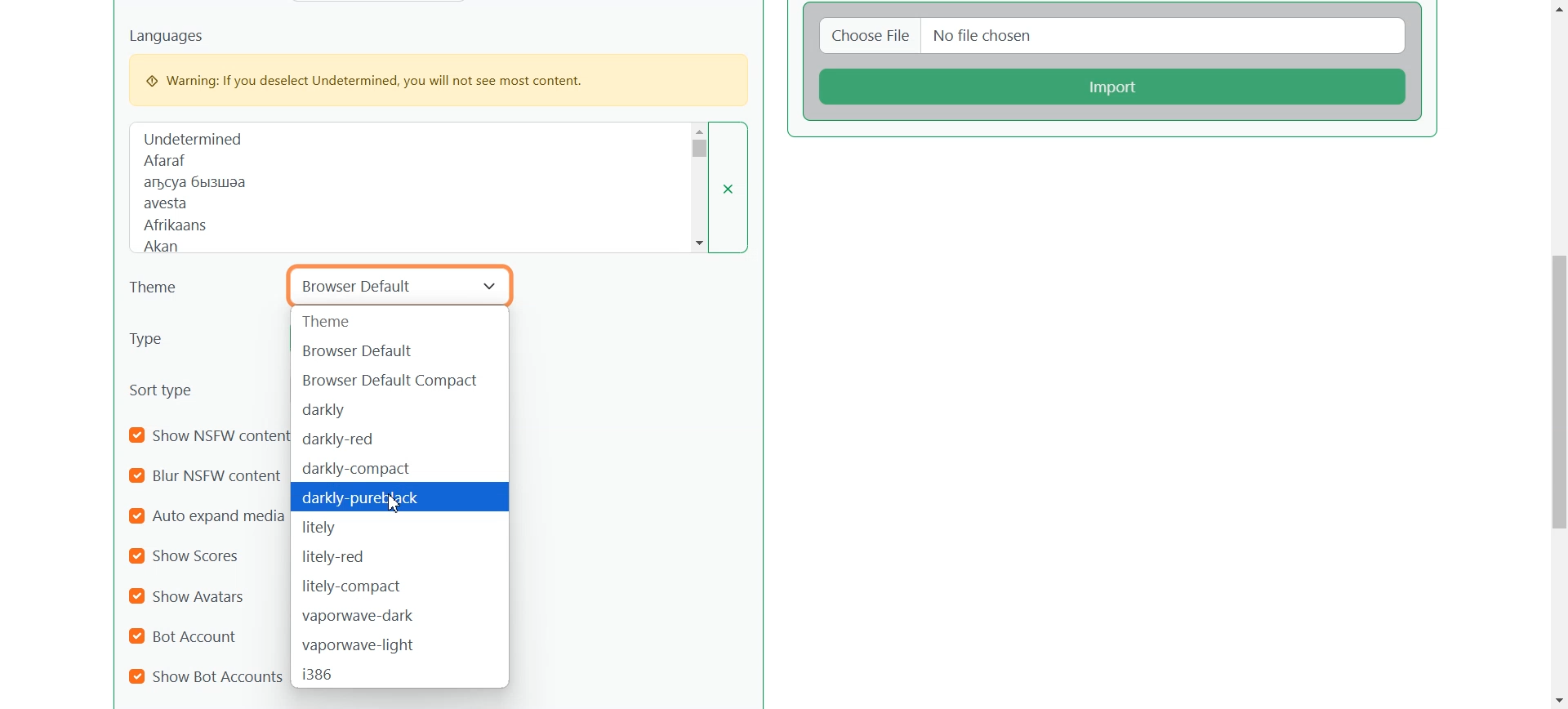  What do you see at coordinates (185, 338) in the screenshot?
I see `Type` at bounding box center [185, 338].